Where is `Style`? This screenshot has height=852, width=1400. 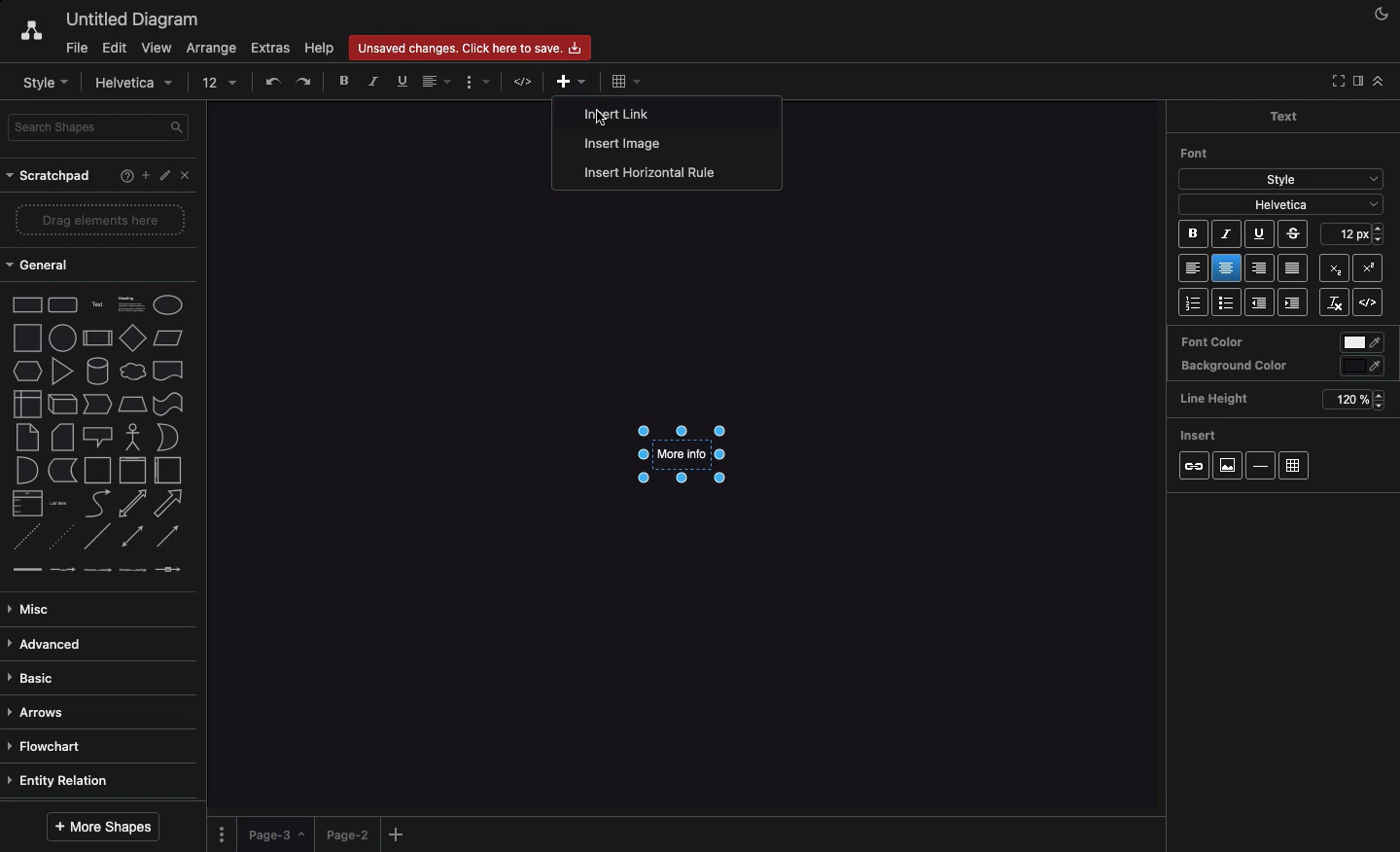
Style is located at coordinates (1281, 177).